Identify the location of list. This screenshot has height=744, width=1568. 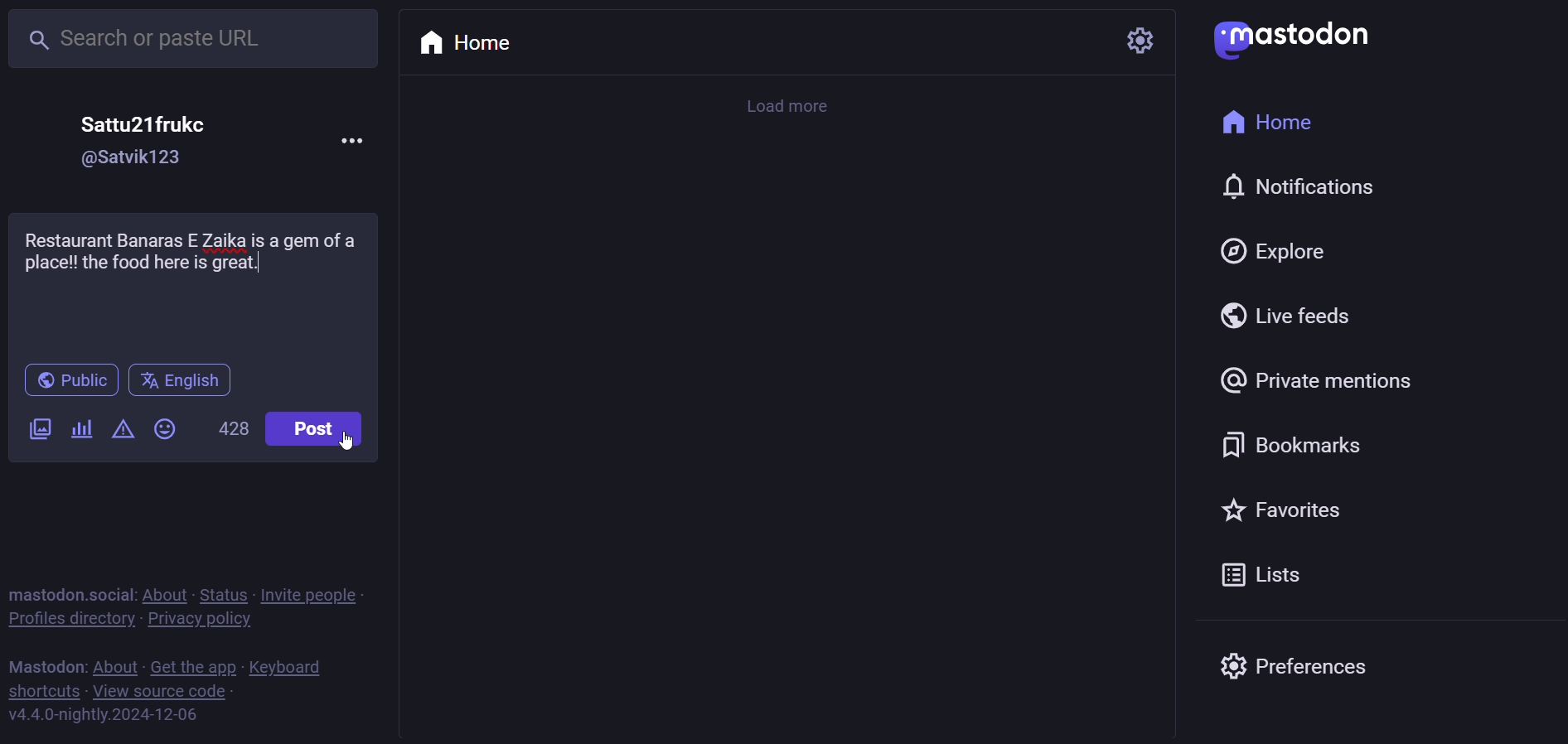
(1256, 577).